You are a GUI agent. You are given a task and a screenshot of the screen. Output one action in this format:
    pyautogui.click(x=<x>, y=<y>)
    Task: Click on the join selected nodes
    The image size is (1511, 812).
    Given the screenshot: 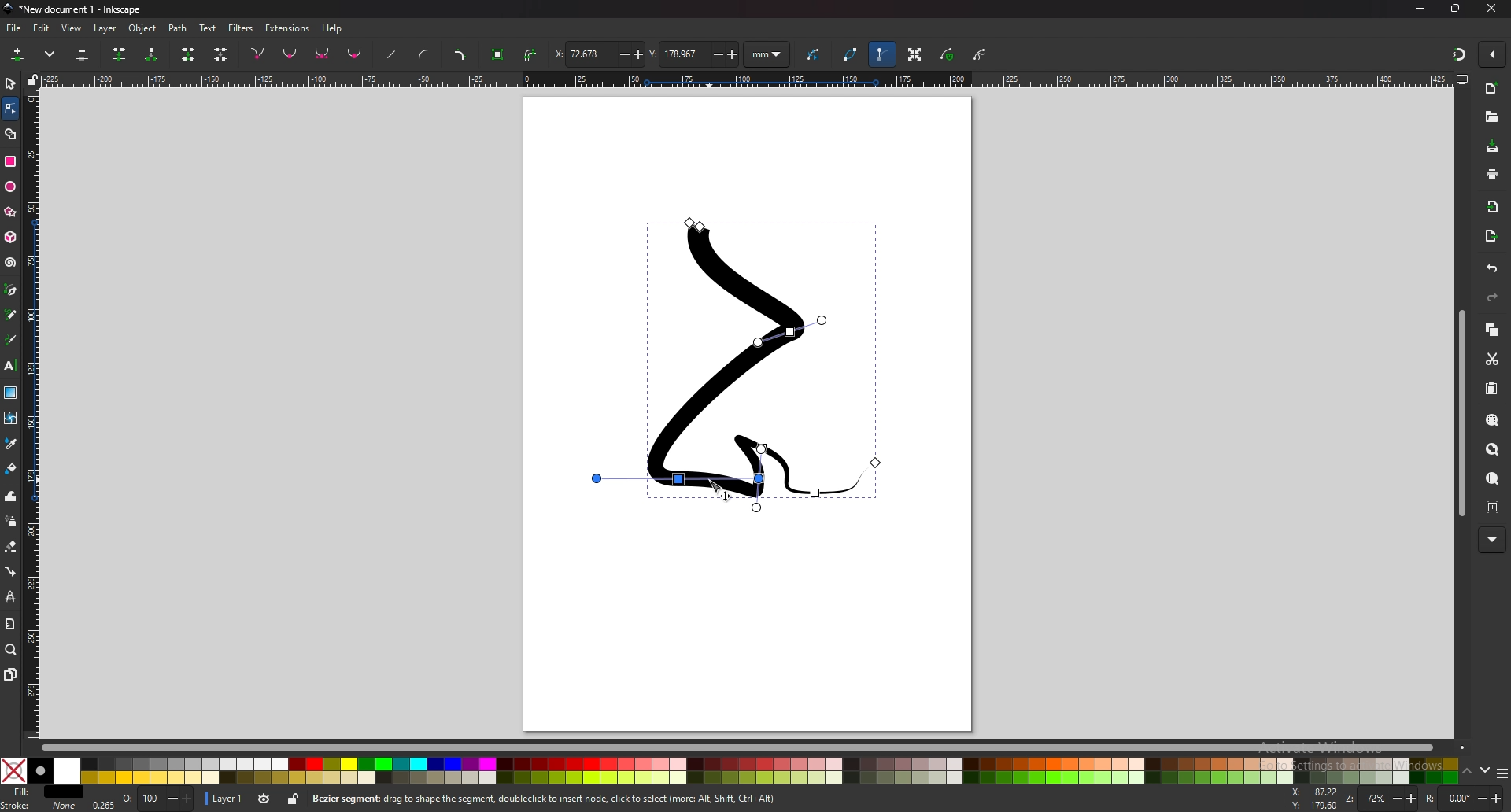 What is the action you would take?
    pyautogui.click(x=120, y=54)
    